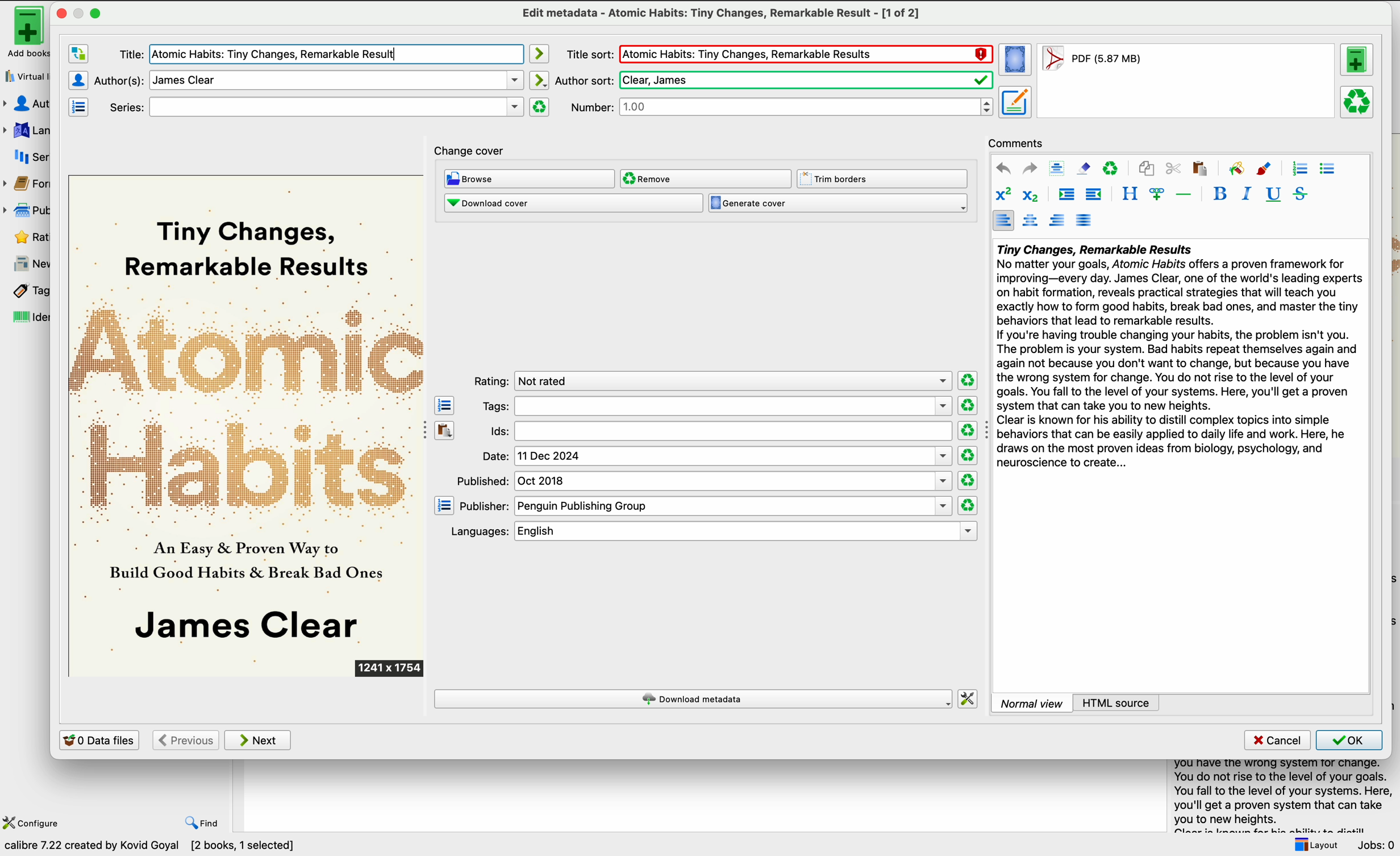 The image size is (1400, 856). What do you see at coordinates (26, 129) in the screenshot?
I see `languages` at bounding box center [26, 129].